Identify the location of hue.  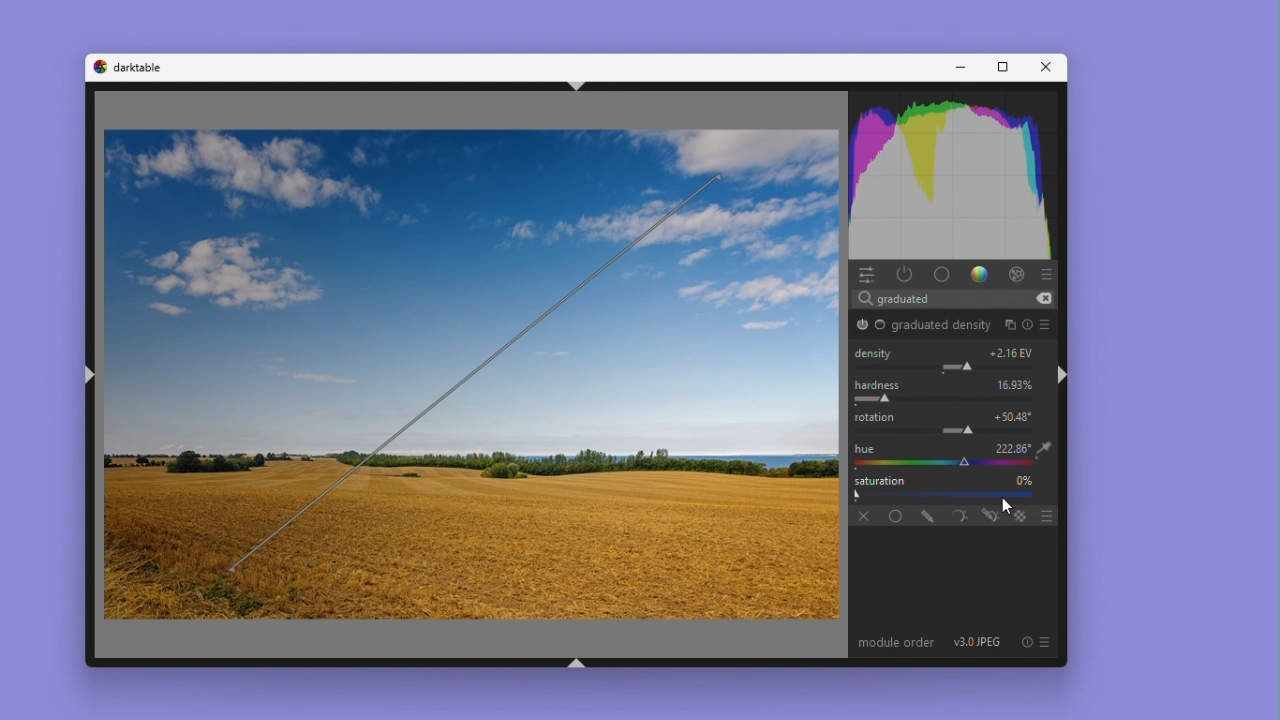
(865, 448).